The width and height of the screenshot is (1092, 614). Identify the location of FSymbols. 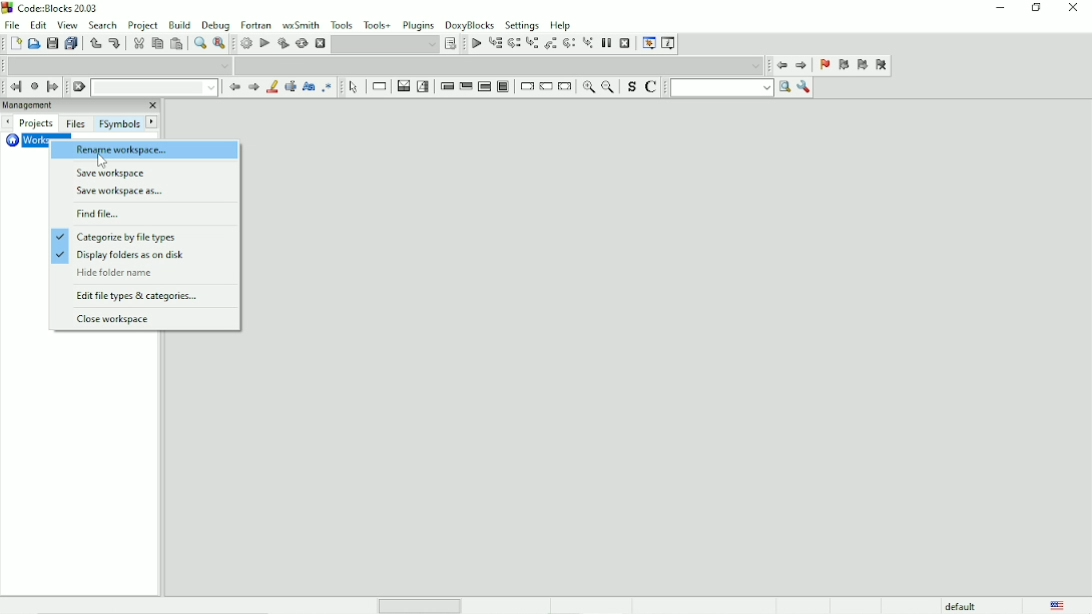
(118, 124).